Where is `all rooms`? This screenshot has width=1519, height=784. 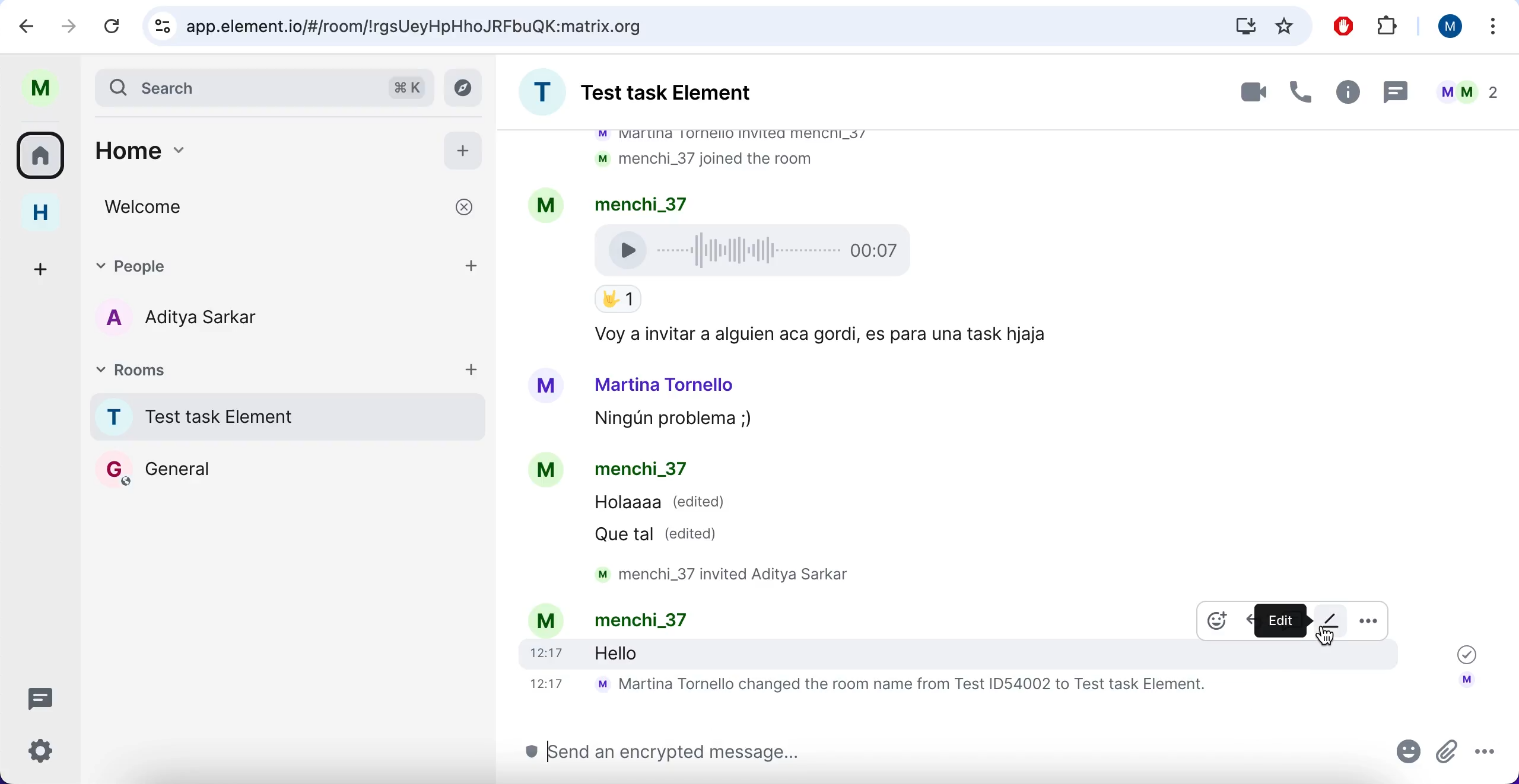
all rooms is located at coordinates (43, 157).